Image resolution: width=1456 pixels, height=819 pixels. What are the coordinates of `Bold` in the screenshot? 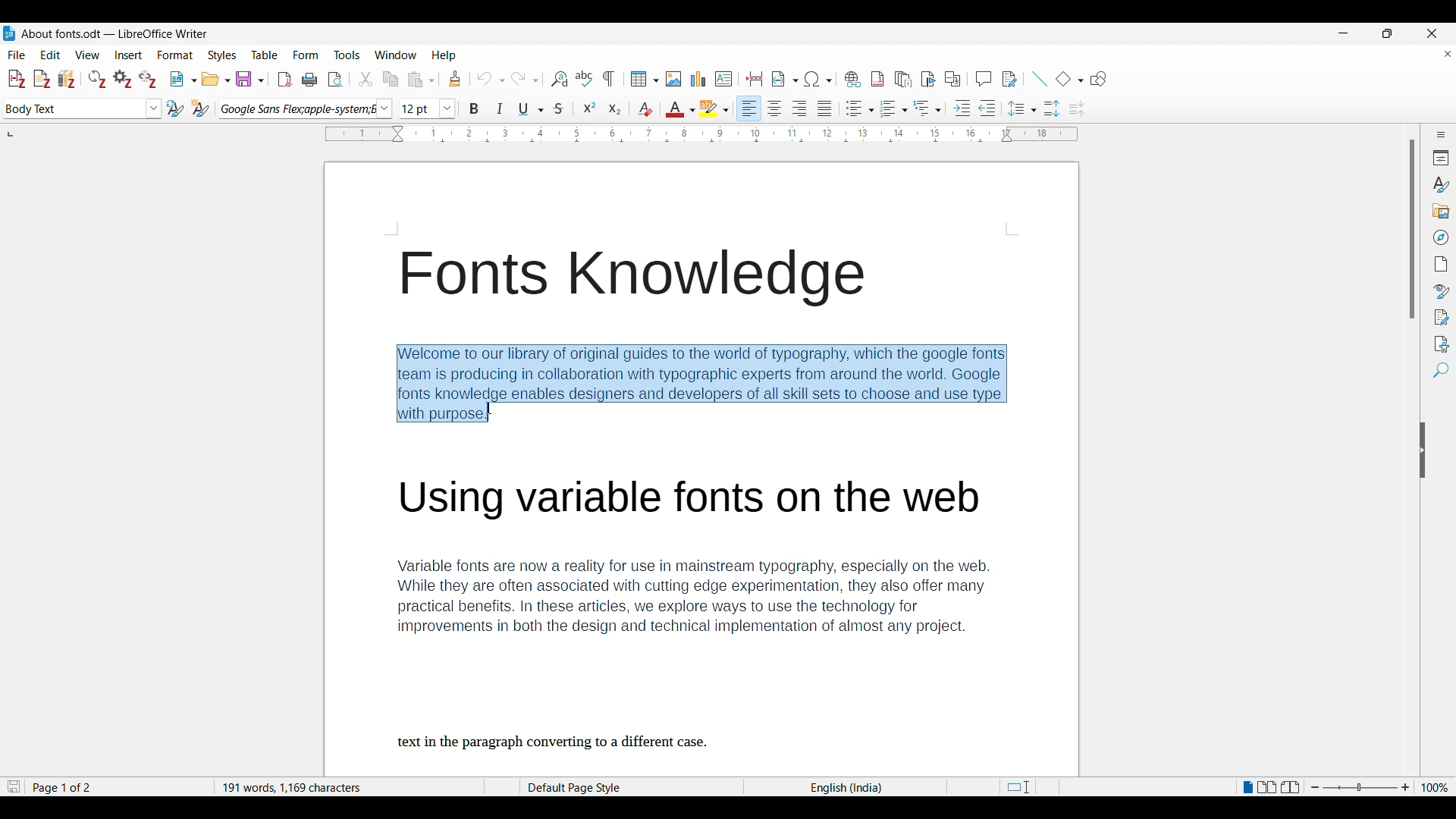 It's located at (474, 108).